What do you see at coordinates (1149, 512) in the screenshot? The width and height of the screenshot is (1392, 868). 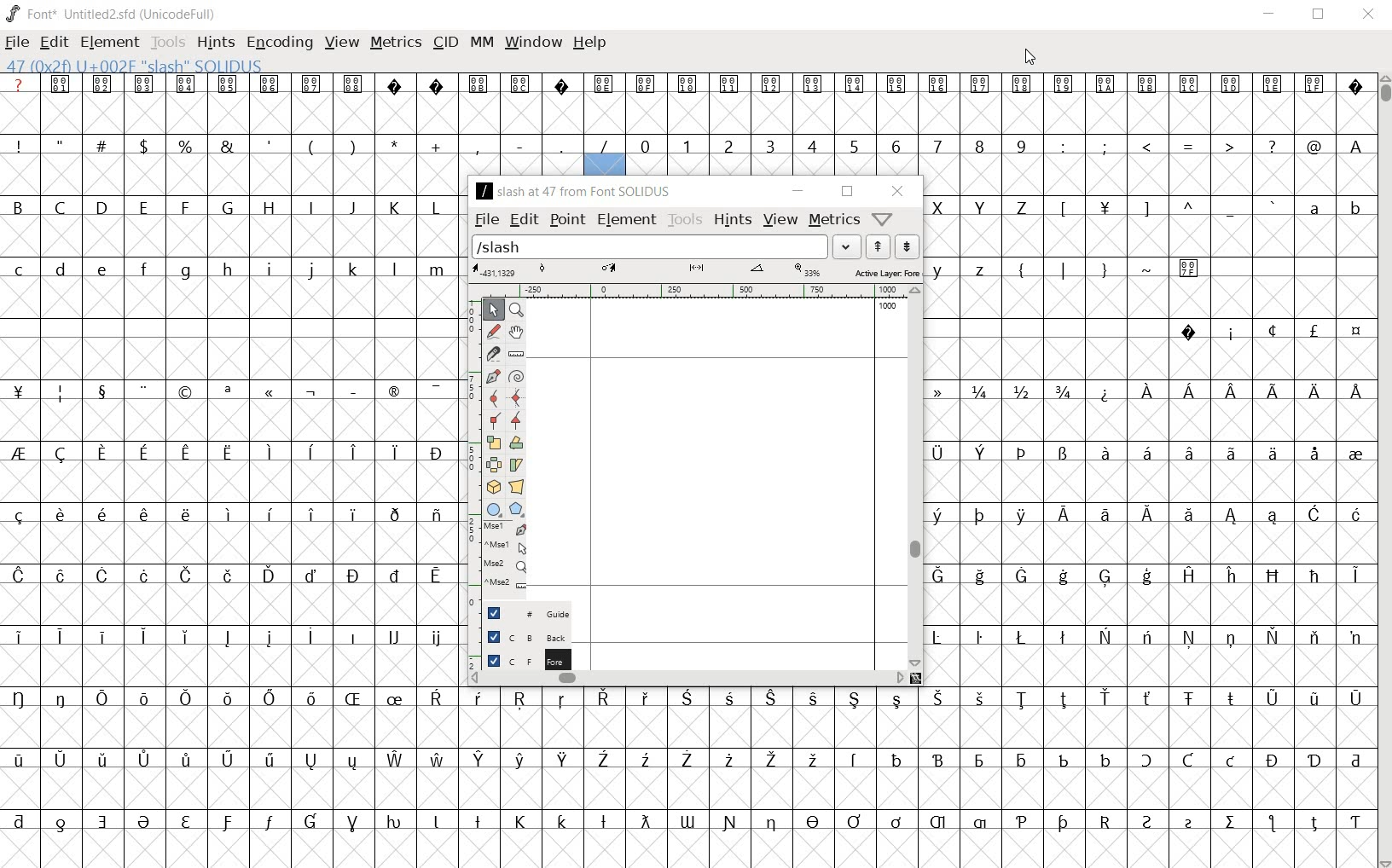 I see `special letters` at bounding box center [1149, 512].